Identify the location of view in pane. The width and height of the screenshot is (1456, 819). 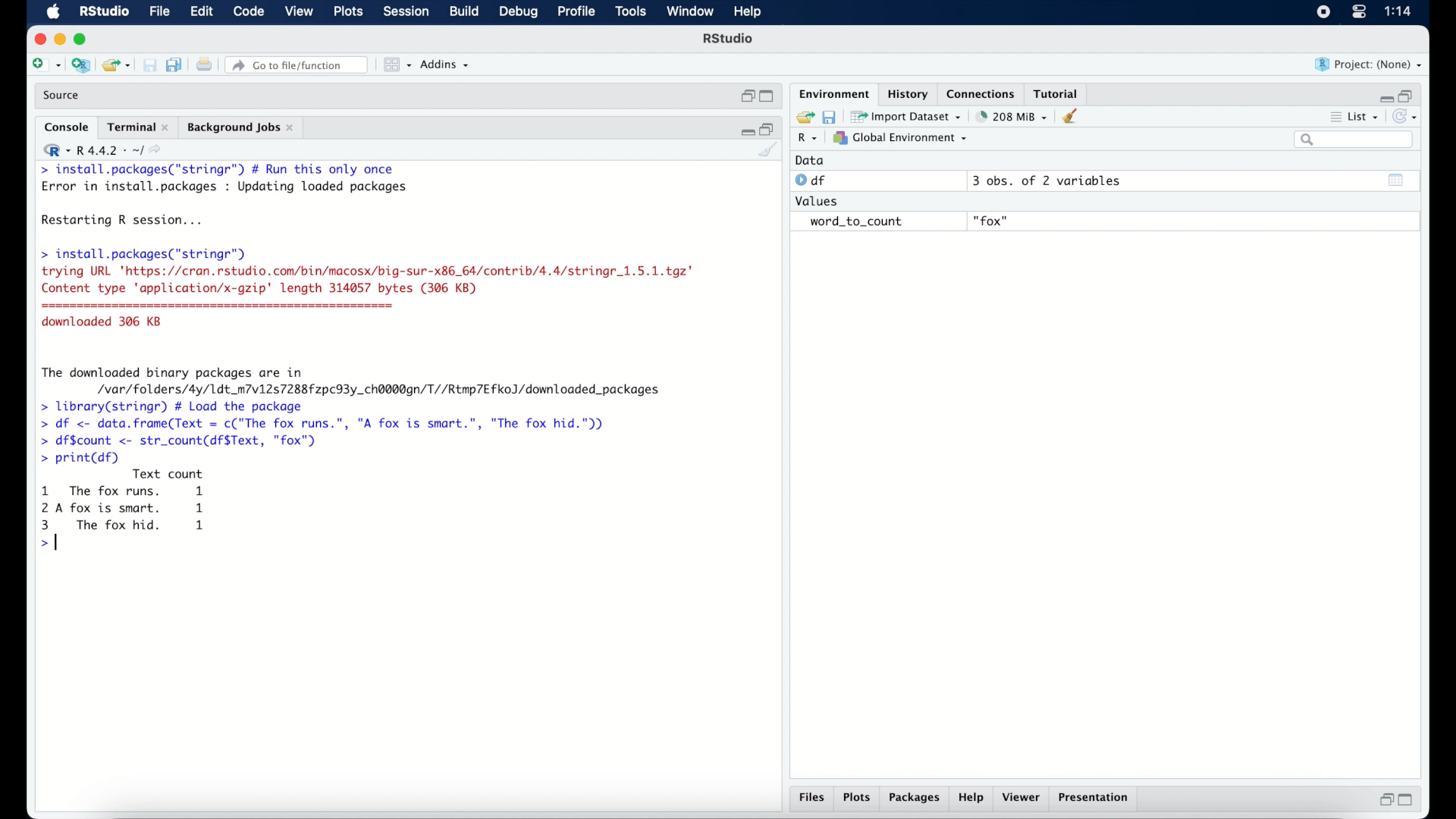
(396, 65).